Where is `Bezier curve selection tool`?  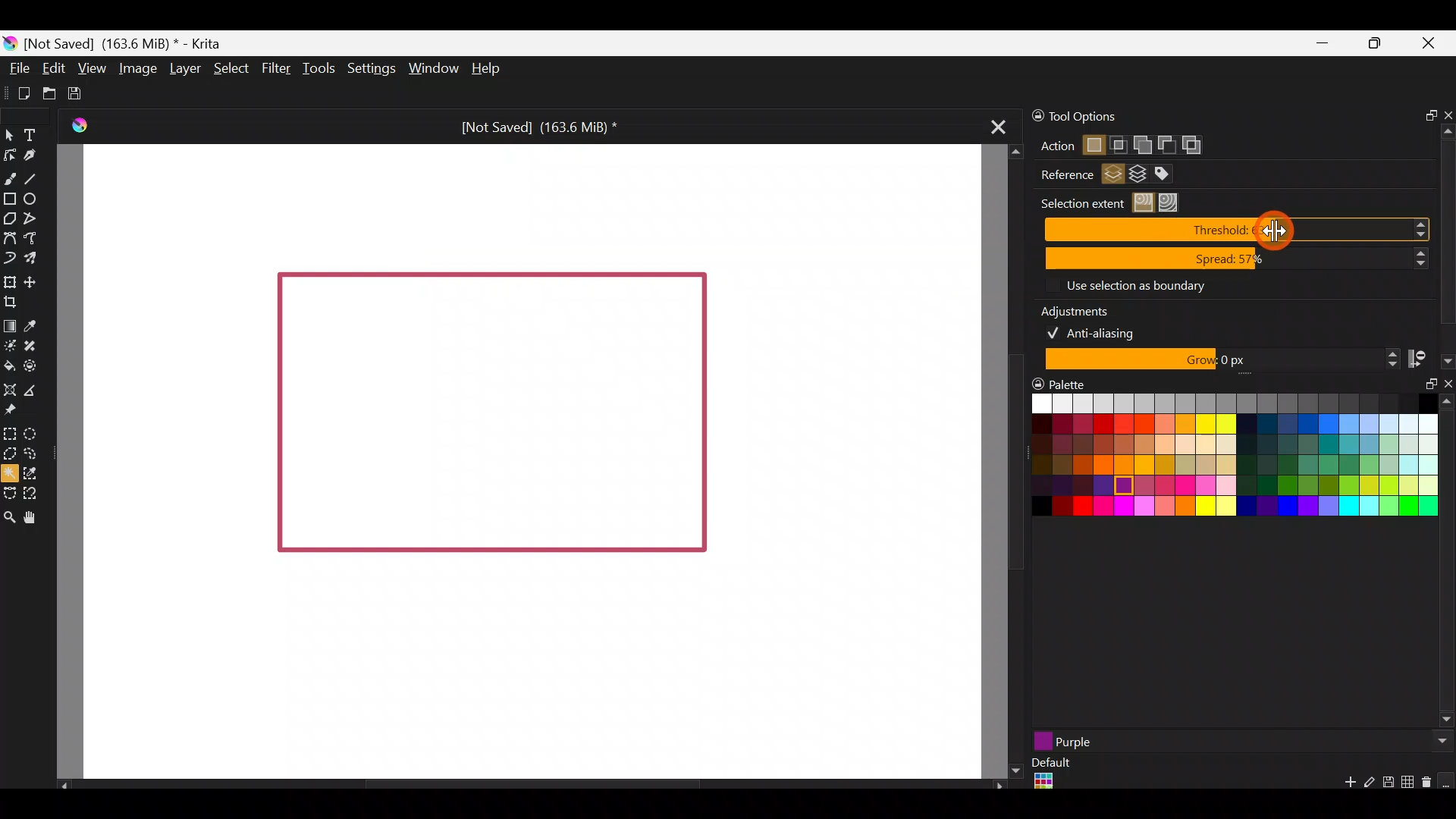 Bezier curve selection tool is located at coordinates (9, 494).